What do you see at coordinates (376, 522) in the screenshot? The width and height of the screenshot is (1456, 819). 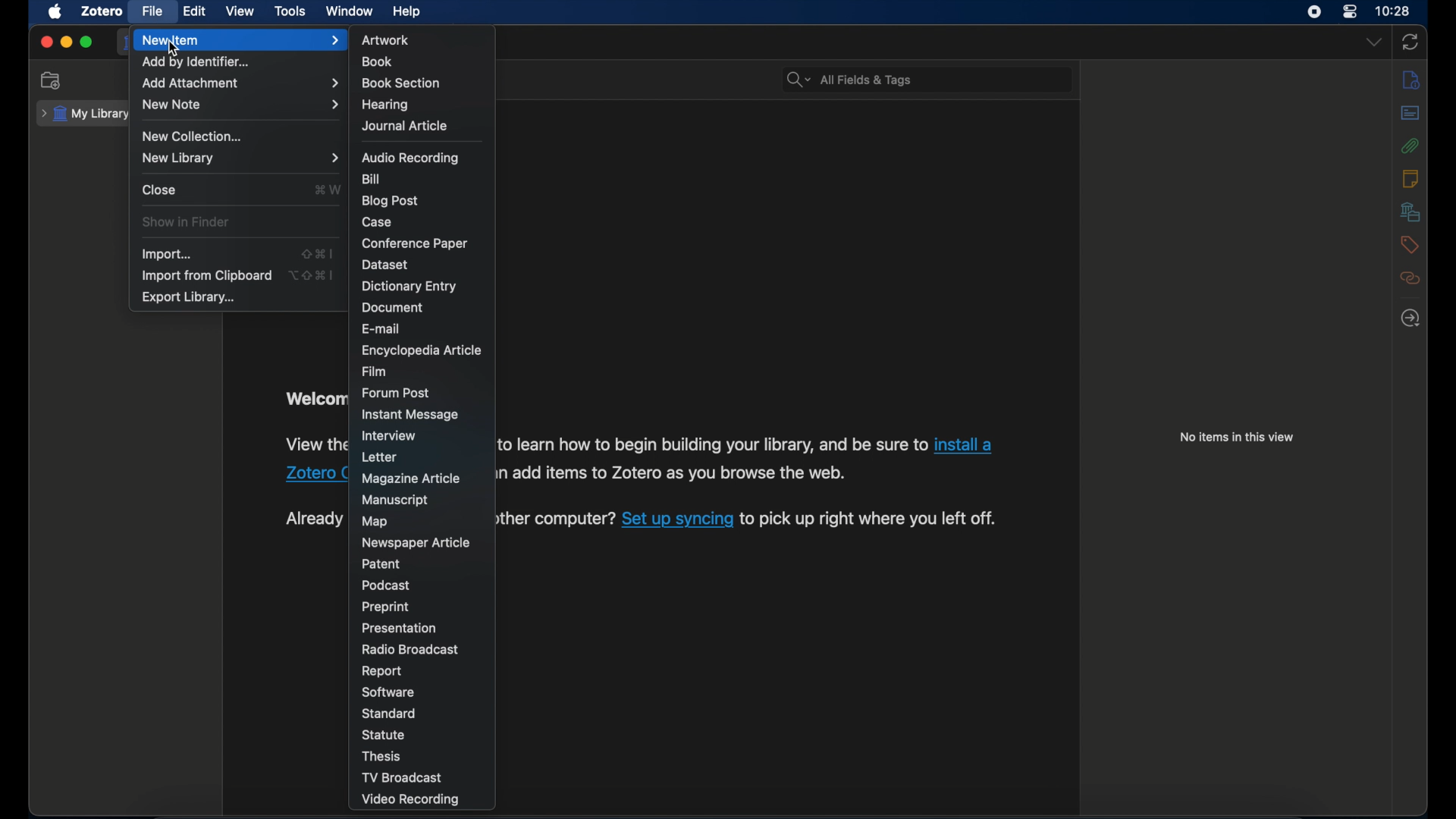 I see `map` at bounding box center [376, 522].